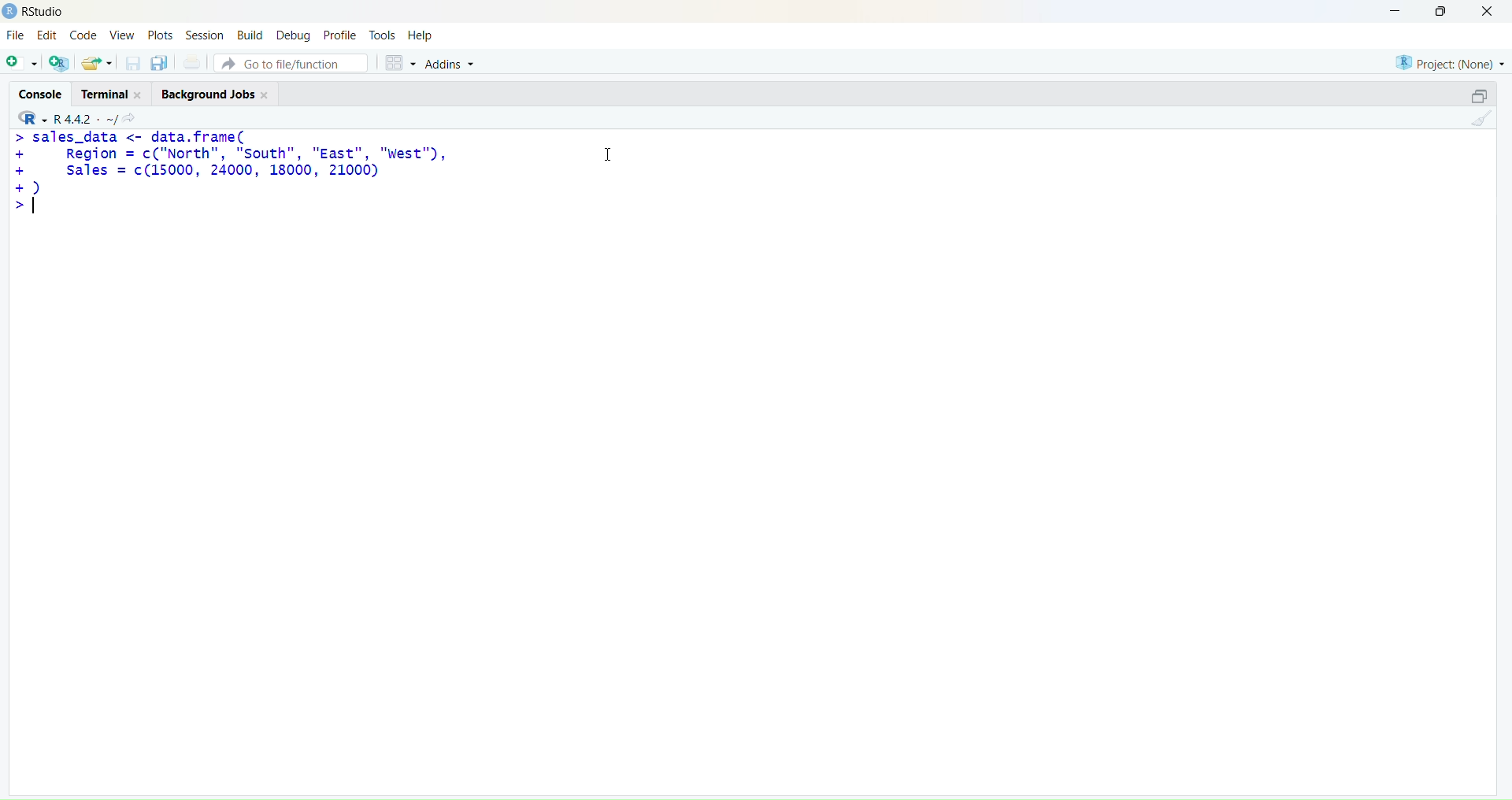 This screenshot has width=1512, height=800. What do you see at coordinates (395, 60) in the screenshot?
I see `grid view` at bounding box center [395, 60].